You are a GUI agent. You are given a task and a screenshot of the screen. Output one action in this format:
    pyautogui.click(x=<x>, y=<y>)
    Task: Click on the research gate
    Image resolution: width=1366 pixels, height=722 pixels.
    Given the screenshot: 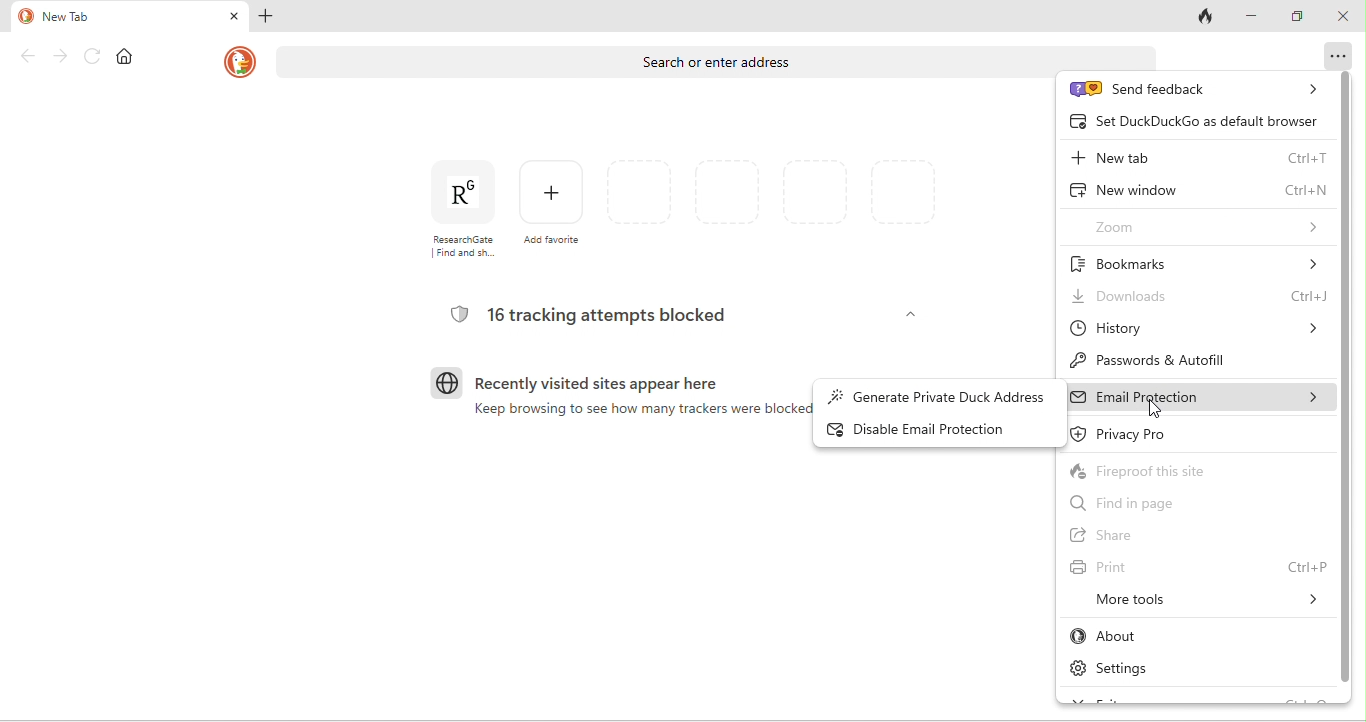 What is the action you would take?
    pyautogui.click(x=457, y=209)
    